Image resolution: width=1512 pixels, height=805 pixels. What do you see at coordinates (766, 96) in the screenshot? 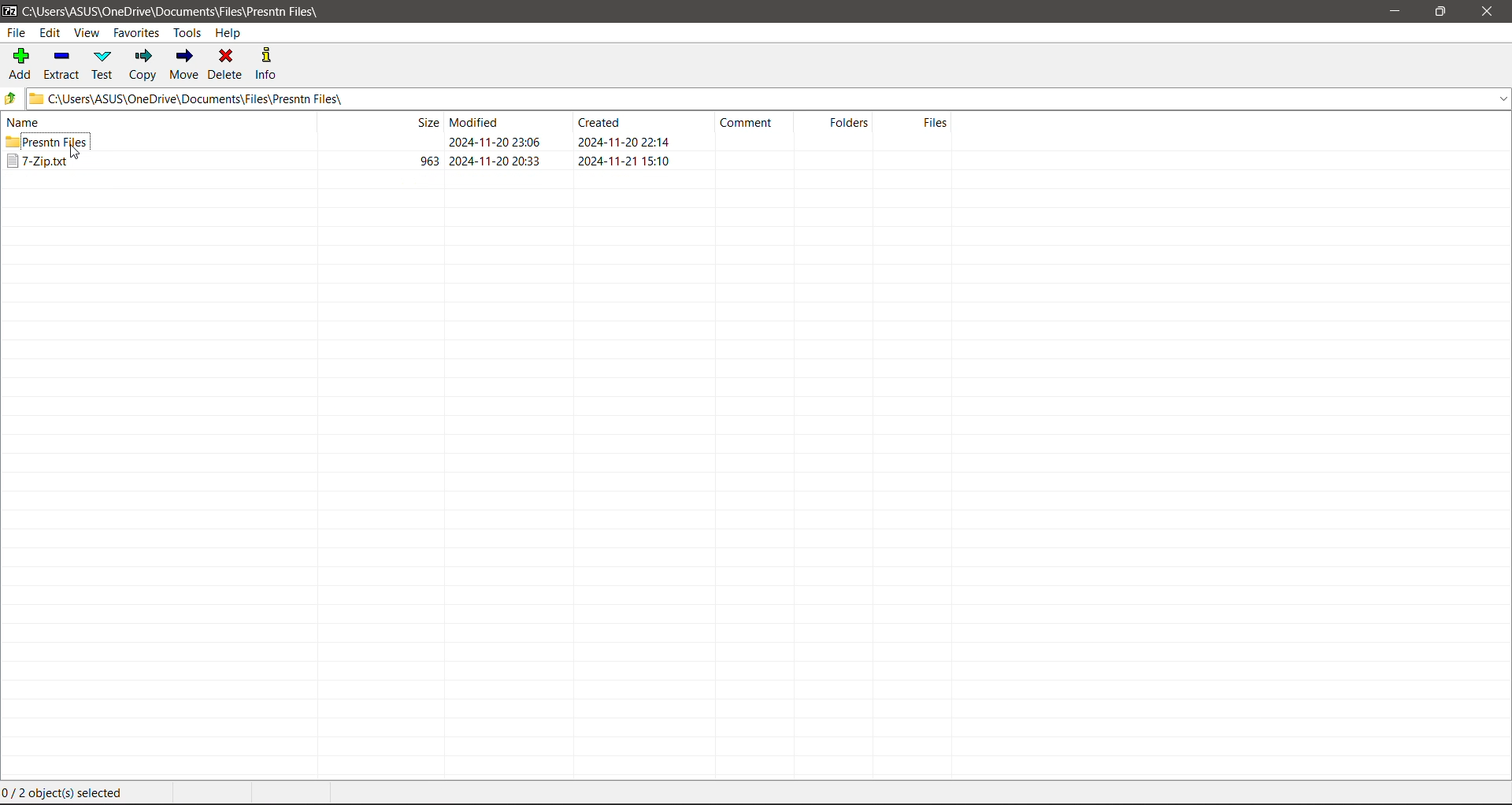
I see `Current Folder Path` at bounding box center [766, 96].